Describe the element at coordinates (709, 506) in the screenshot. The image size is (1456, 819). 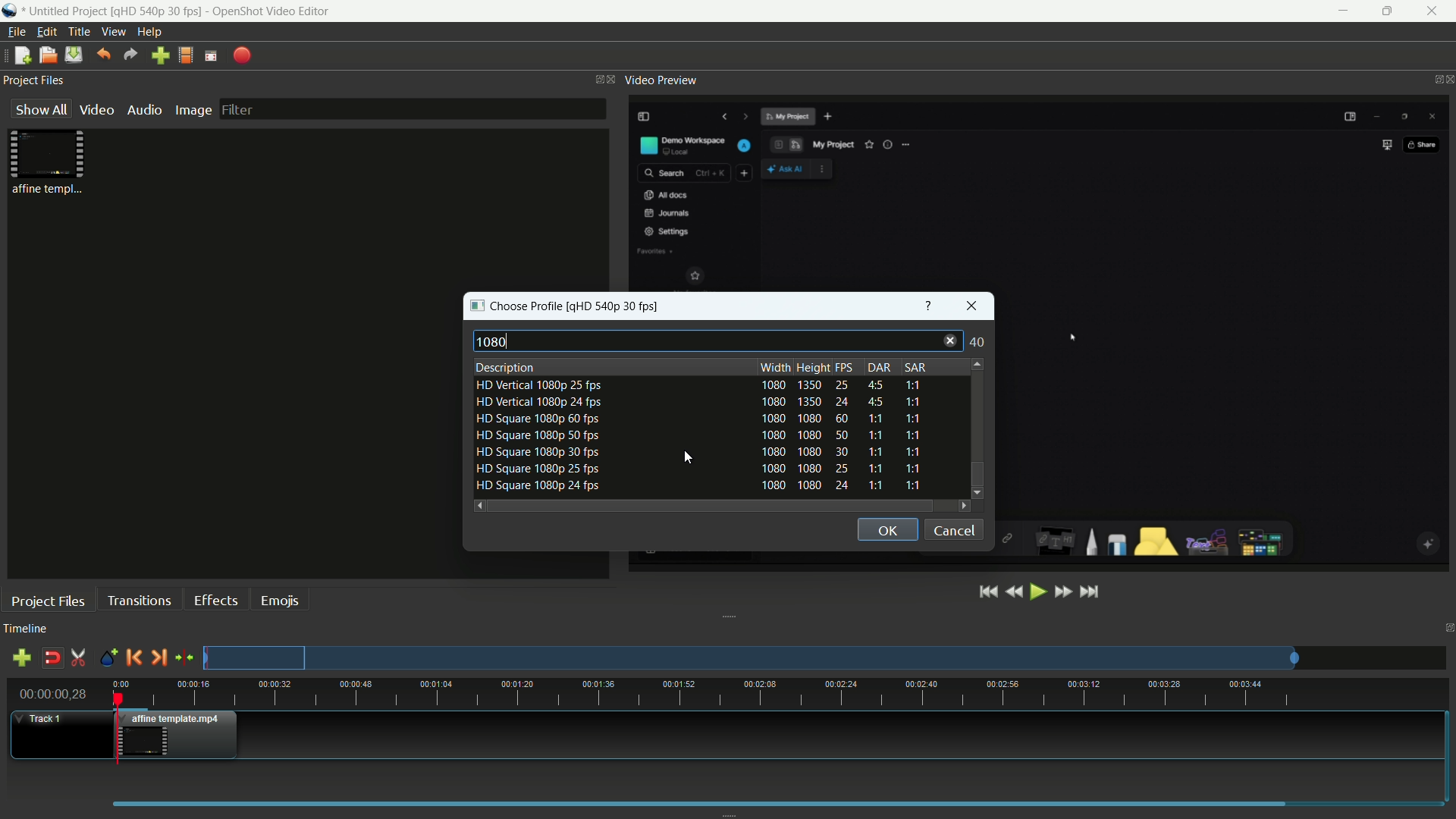
I see `scroll bar` at that location.